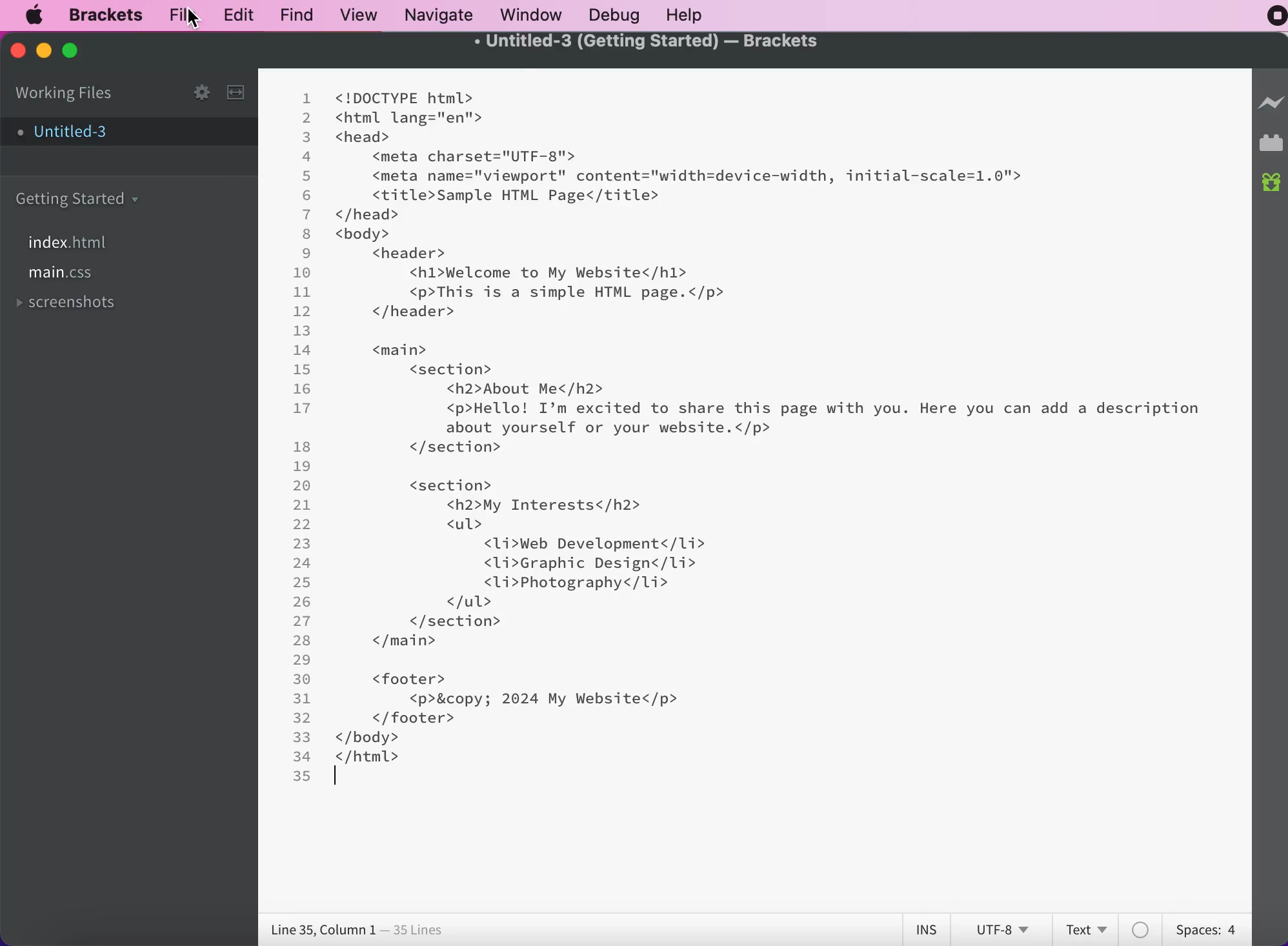 The image size is (1288, 946). What do you see at coordinates (307, 157) in the screenshot?
I see `4` at bounding box center [307, 157].